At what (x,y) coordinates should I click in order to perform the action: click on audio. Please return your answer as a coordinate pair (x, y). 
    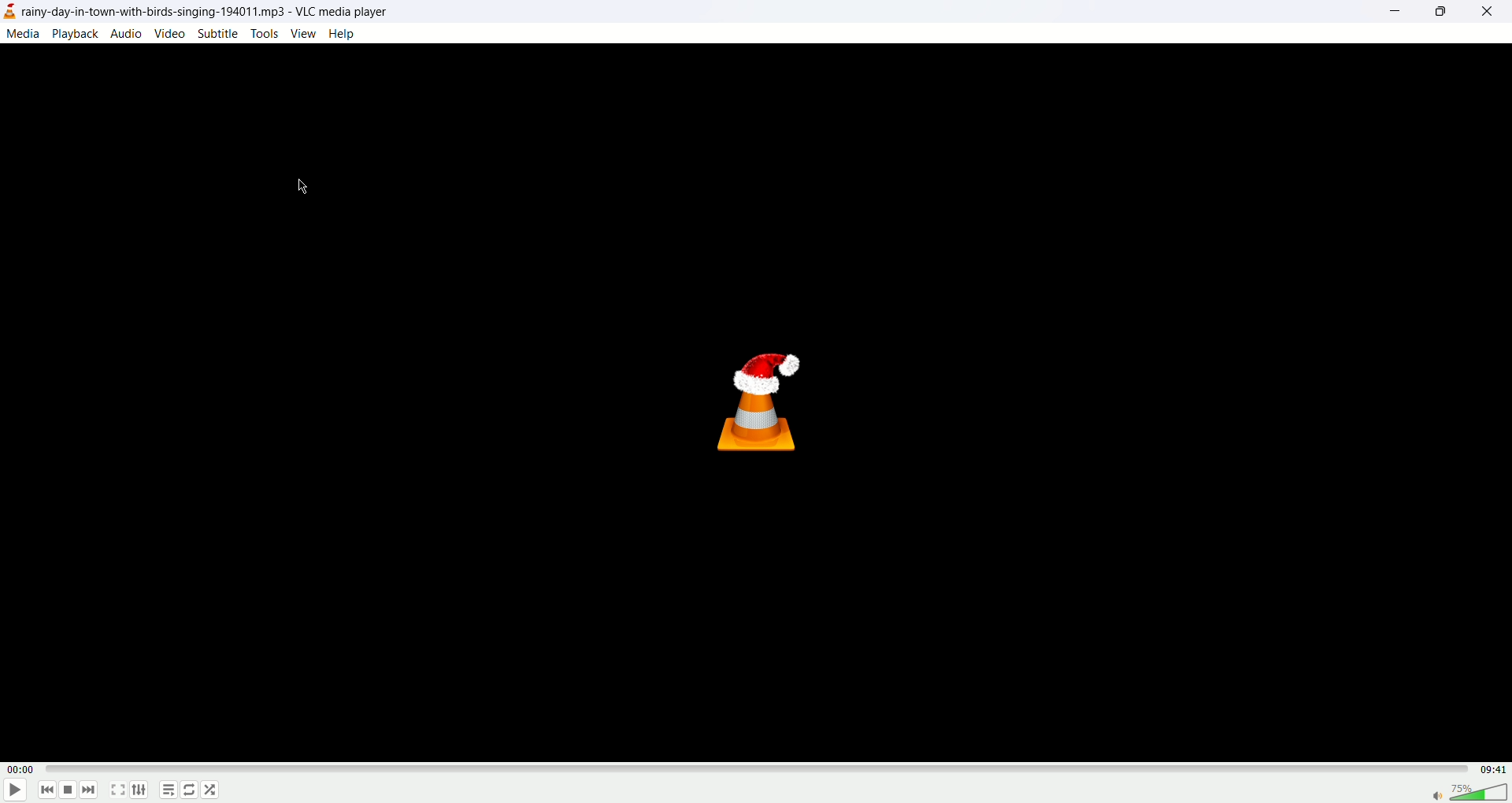
    Looking at the image, I should click on (127, 33).